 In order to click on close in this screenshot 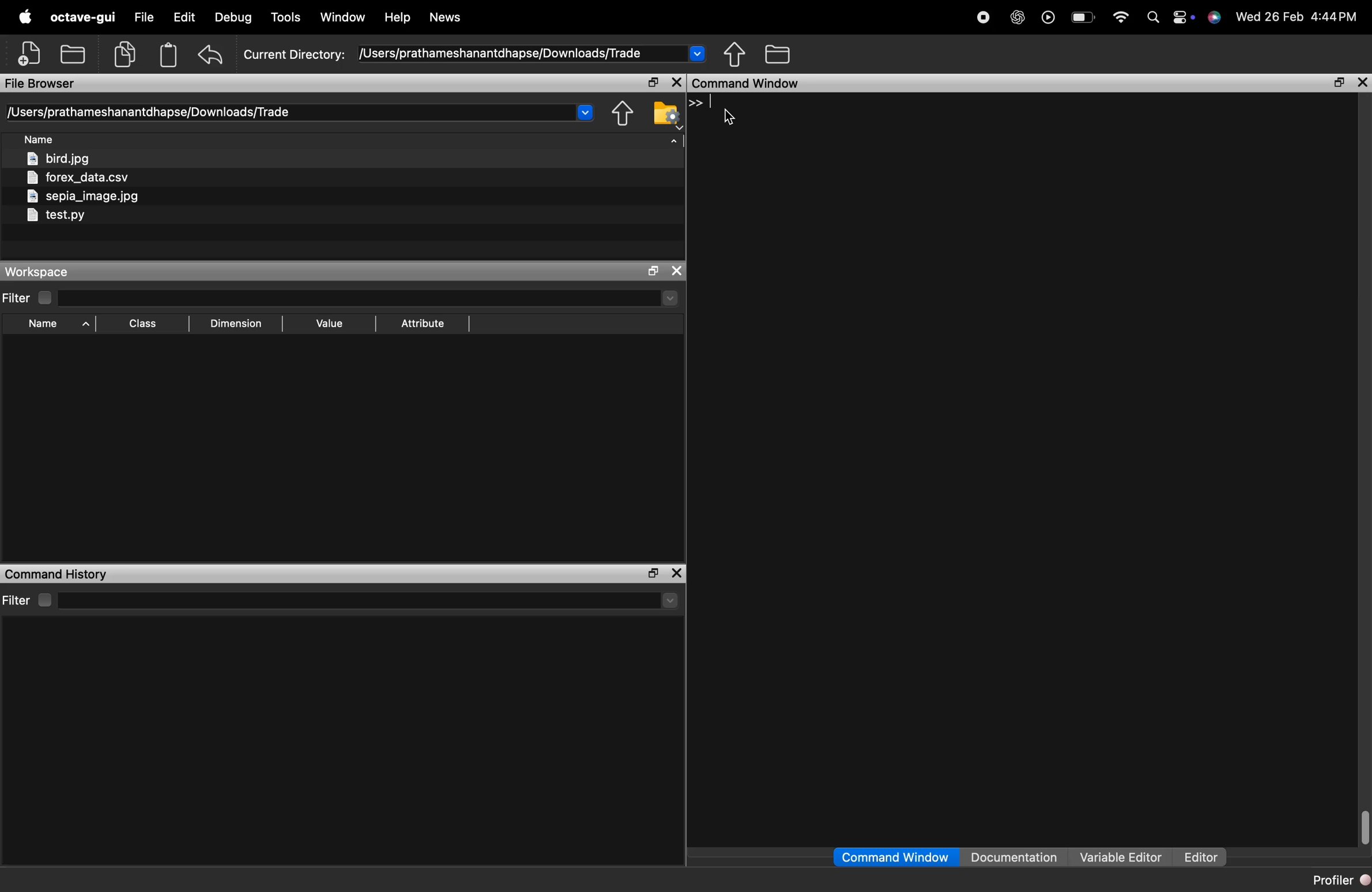, I will do `click(676, 573)`.